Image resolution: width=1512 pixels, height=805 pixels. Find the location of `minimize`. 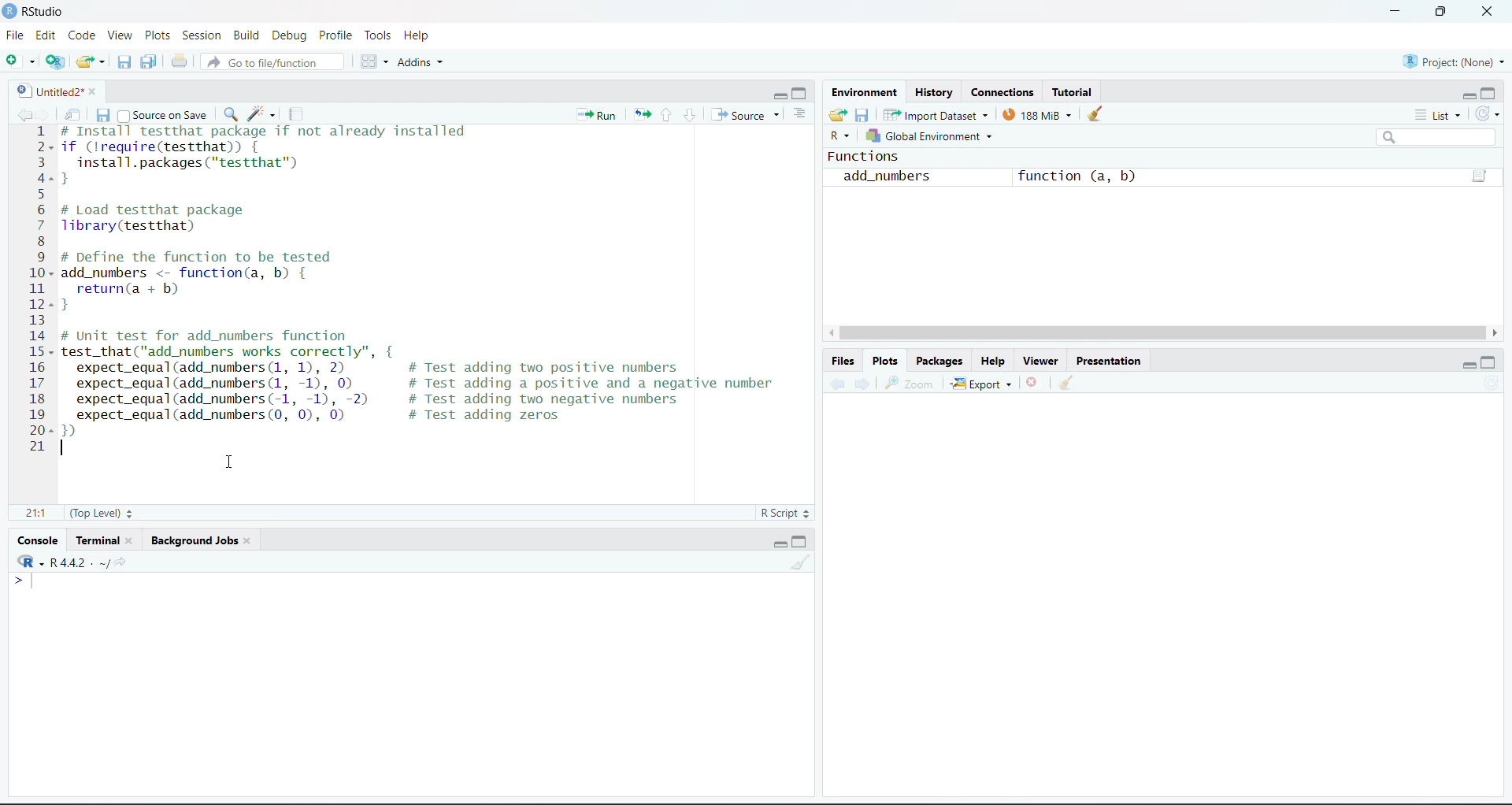

minimize is located at coordinates (1470, 363).